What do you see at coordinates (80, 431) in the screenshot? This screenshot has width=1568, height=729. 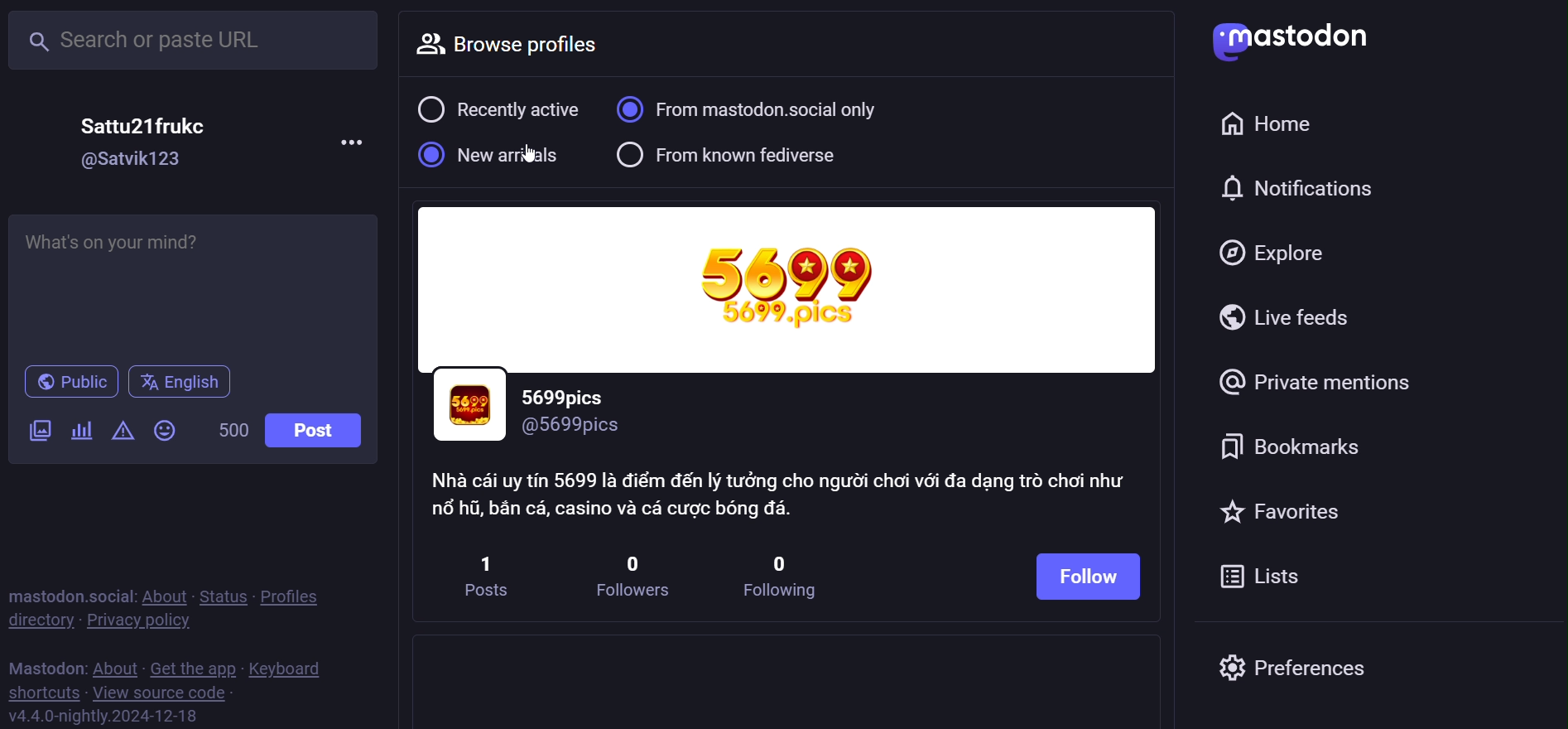 I see `poll` at bounding box center [80, 431].